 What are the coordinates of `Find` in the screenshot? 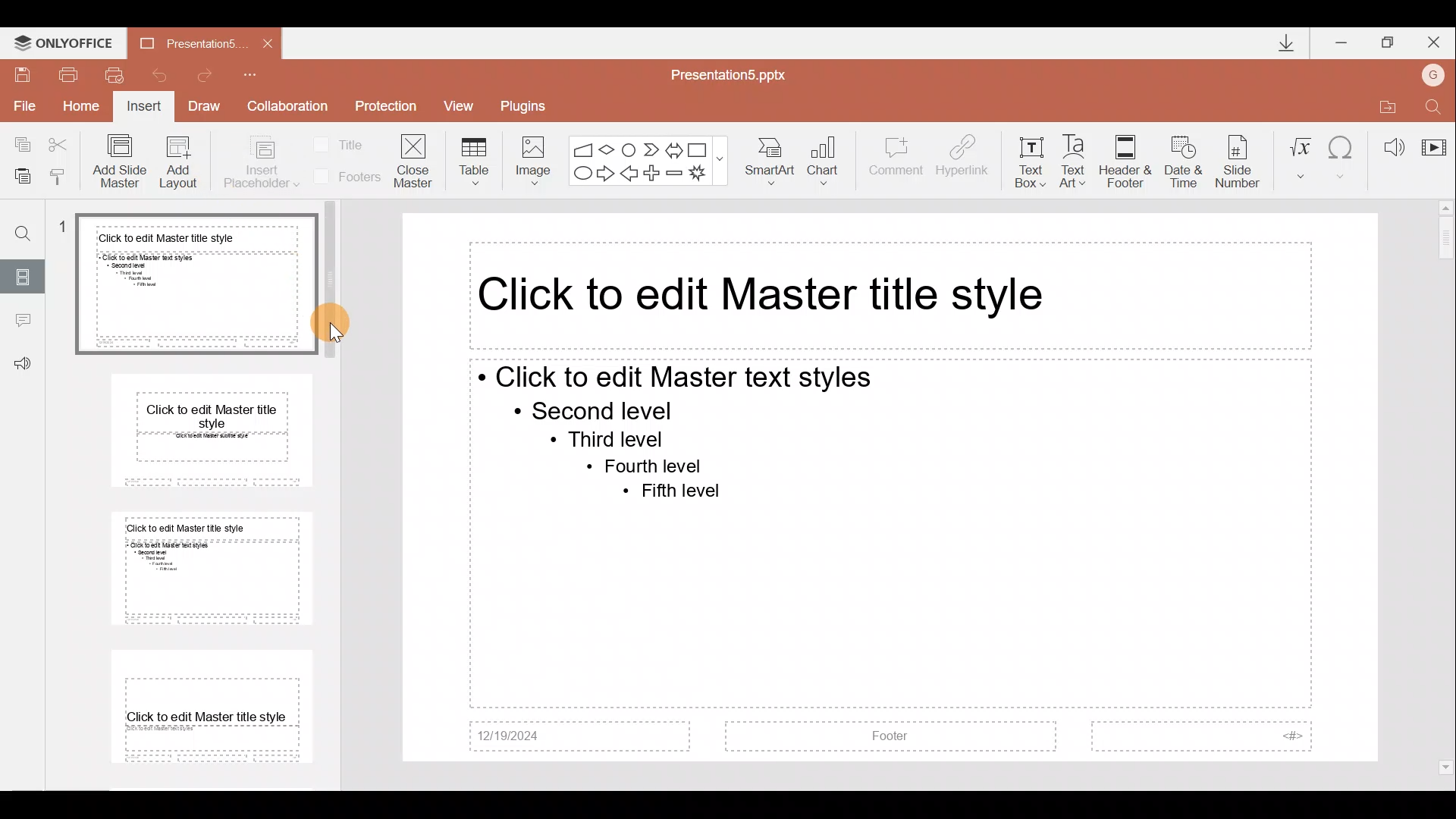 It's located at (1435, 104).